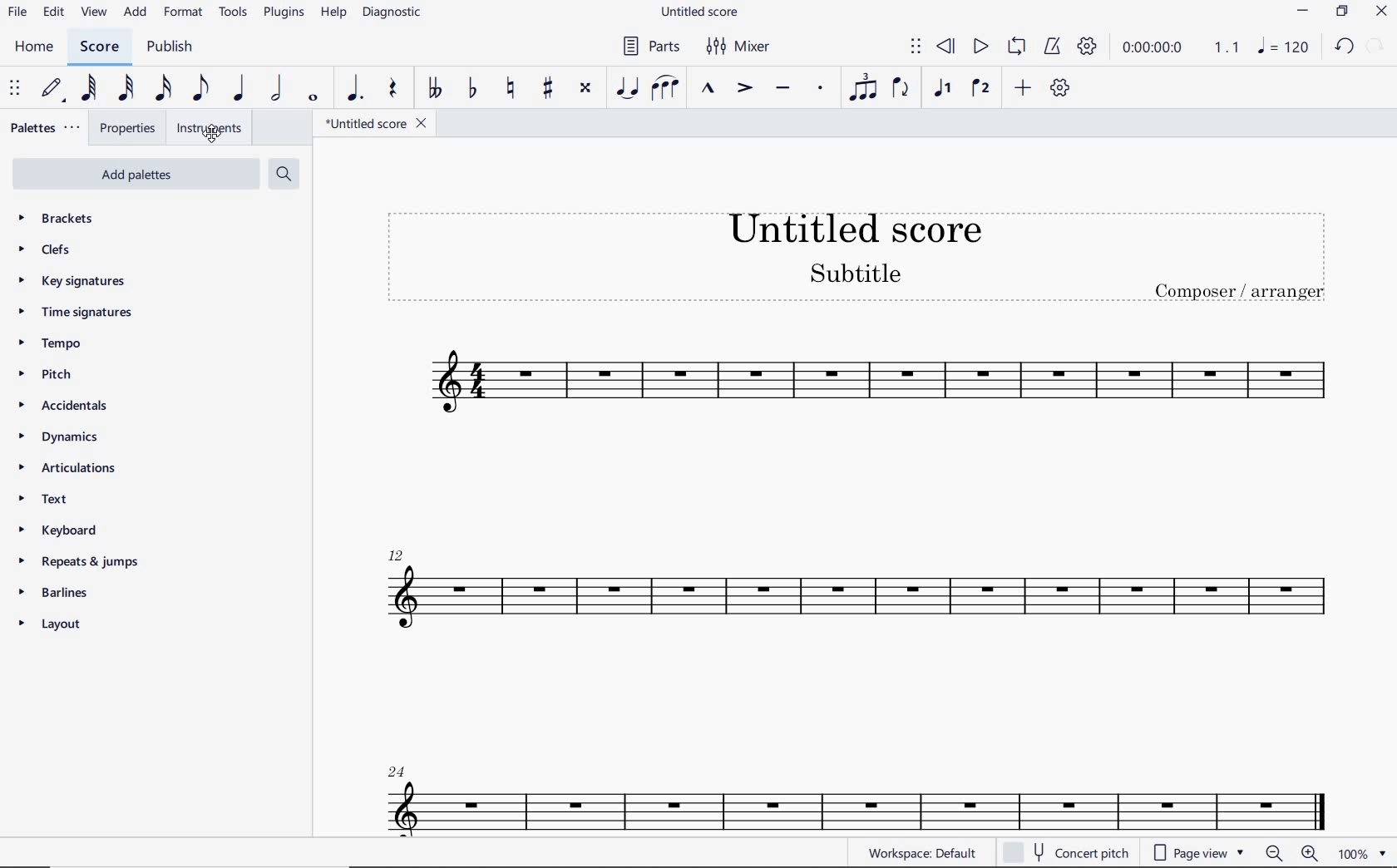 This screenshot has width=1397, height=868. I want to click on relode, so click(1376, 44).